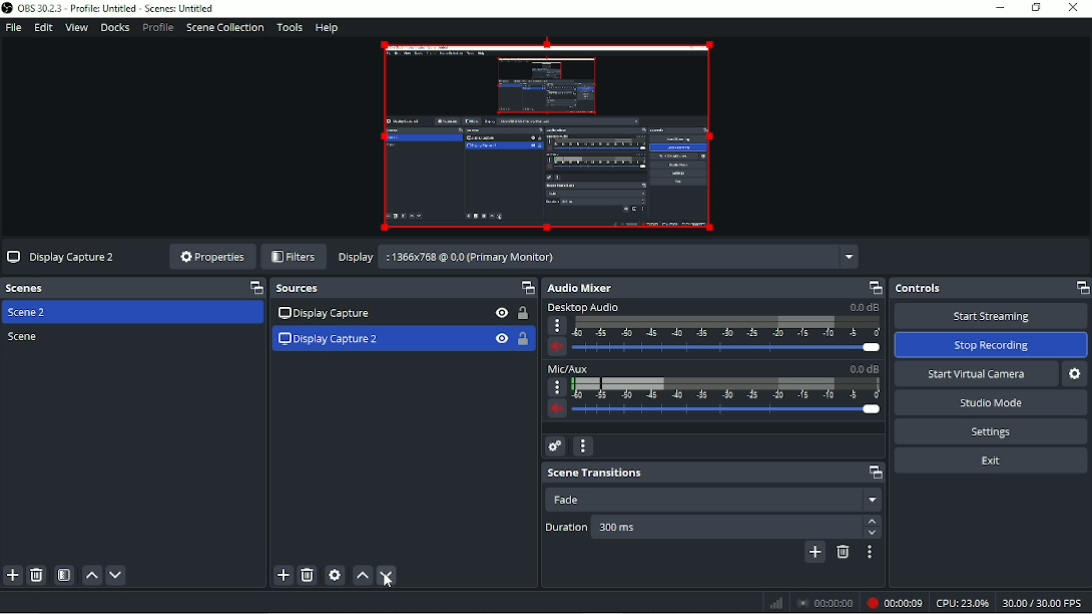 The height and width of the screenshot is (614, 1092). What do you see at coordinates (843, 553) in the screenshot?
I see `Remove configurable transition` at bounding box center [843, 553].